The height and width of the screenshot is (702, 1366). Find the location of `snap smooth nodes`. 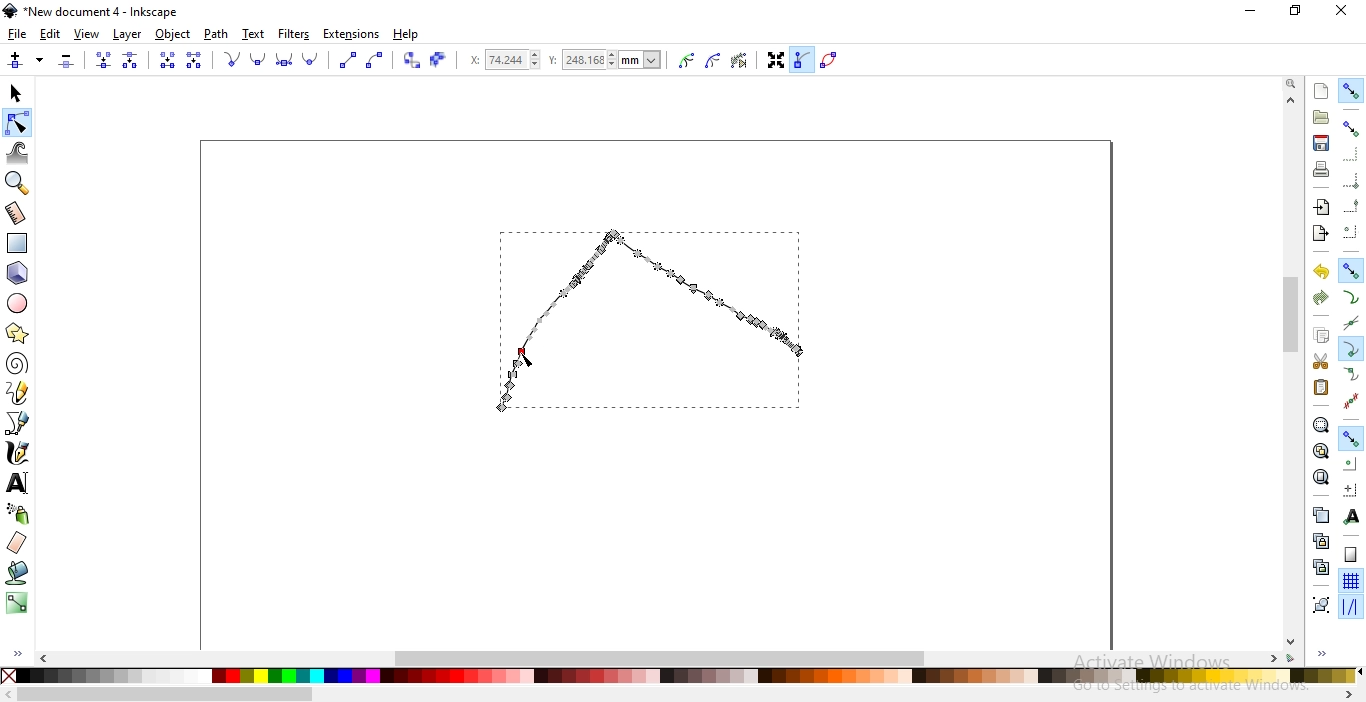

snap smooth nodes is located at coordinates (1351, 375).